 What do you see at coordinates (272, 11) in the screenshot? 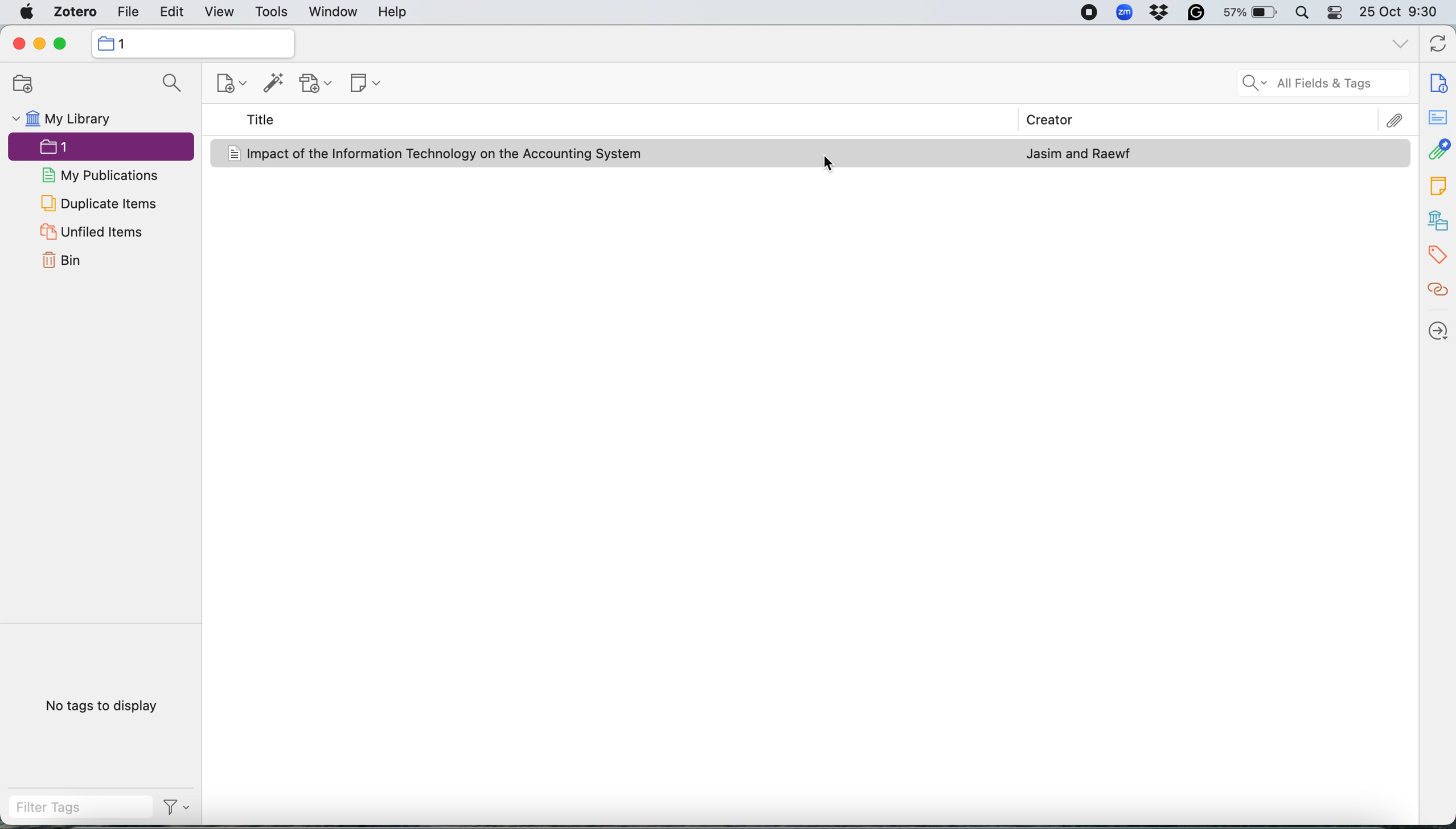
I see `tools` at bounding box center [272, 11].